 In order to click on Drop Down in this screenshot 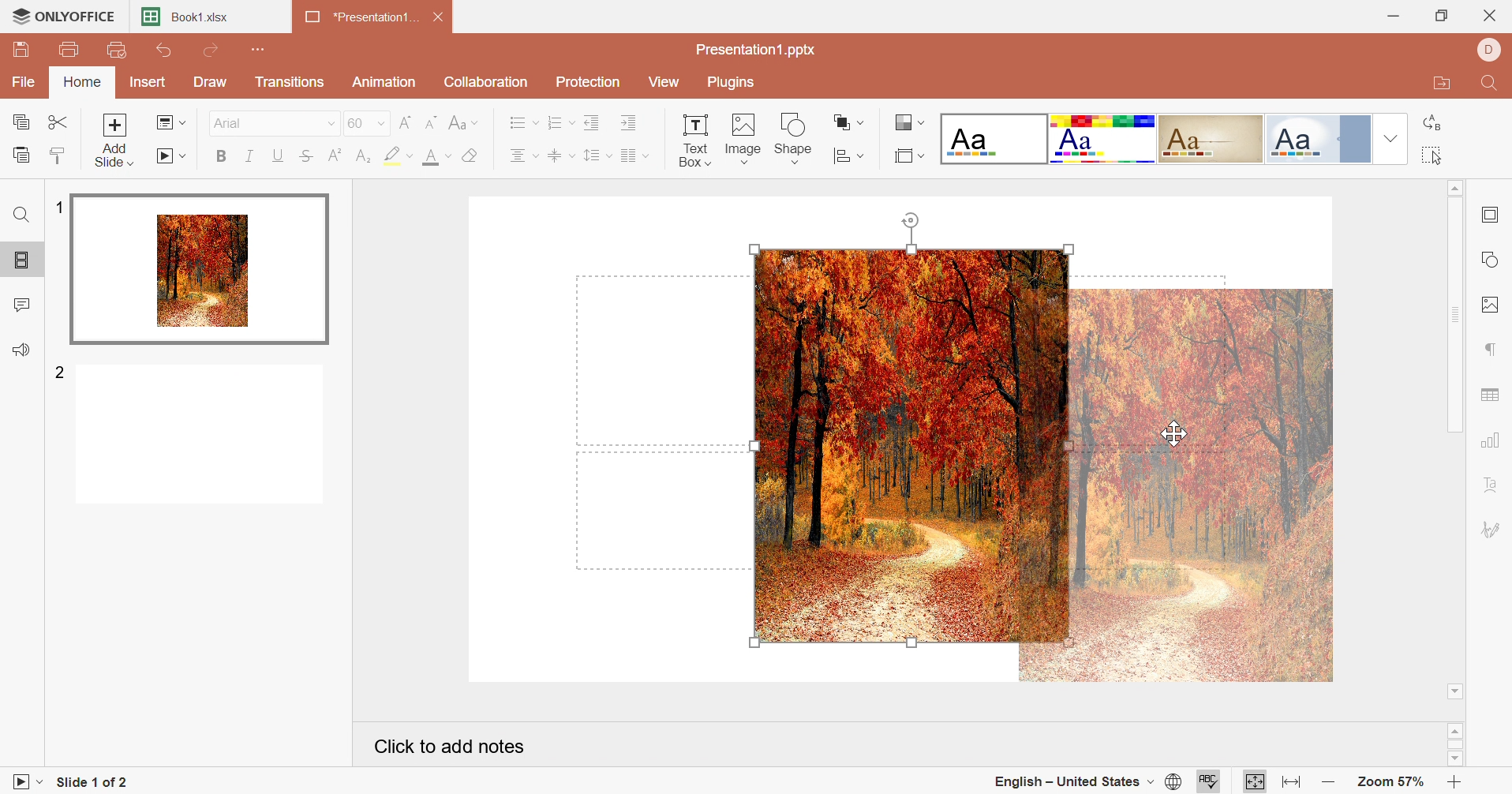, I will do `click(1390, 139)`.